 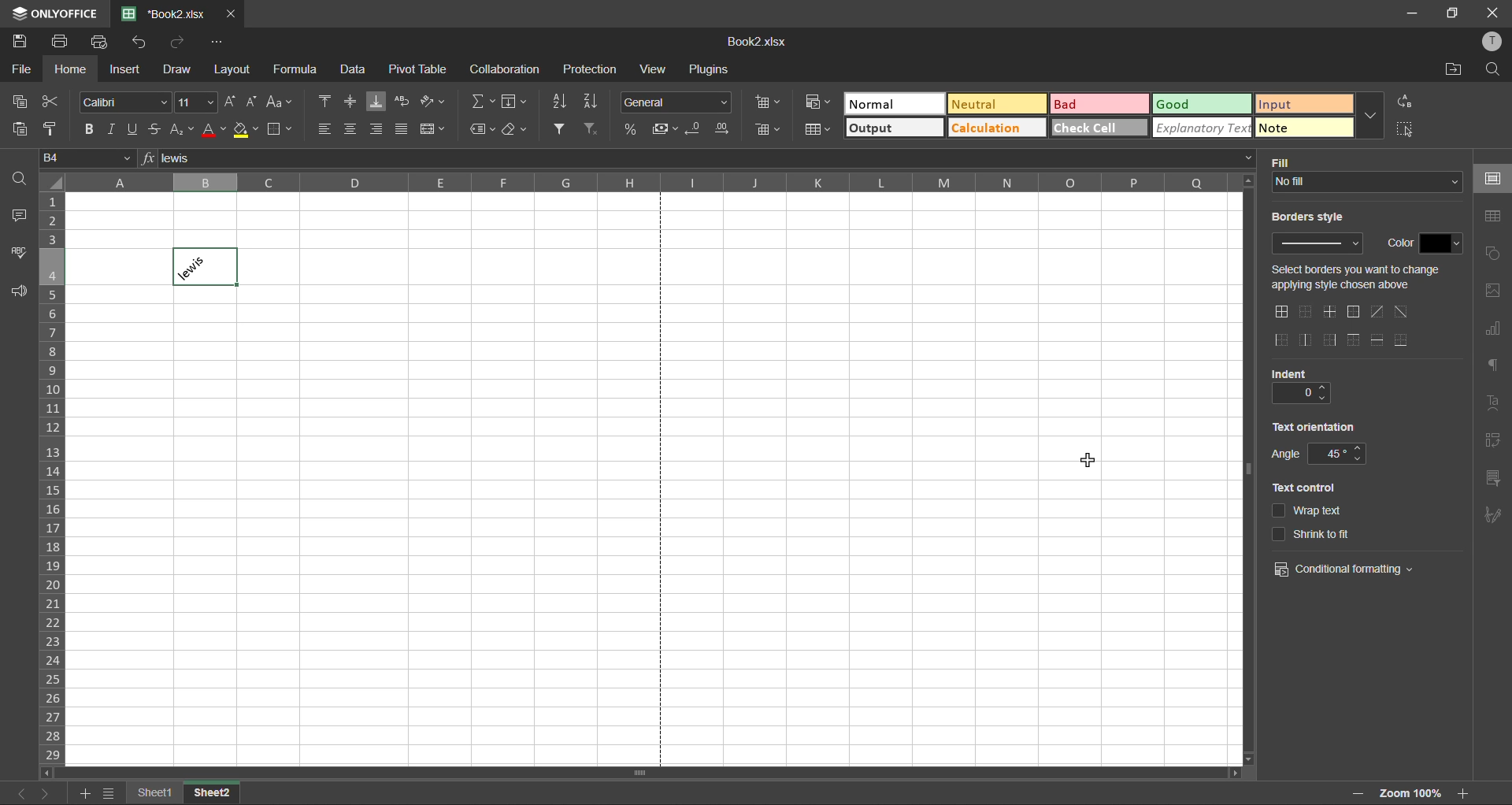 What do you see at coordinates (481, 102) in the screenshot?
I see `summation` at bounding box center [481, 102].